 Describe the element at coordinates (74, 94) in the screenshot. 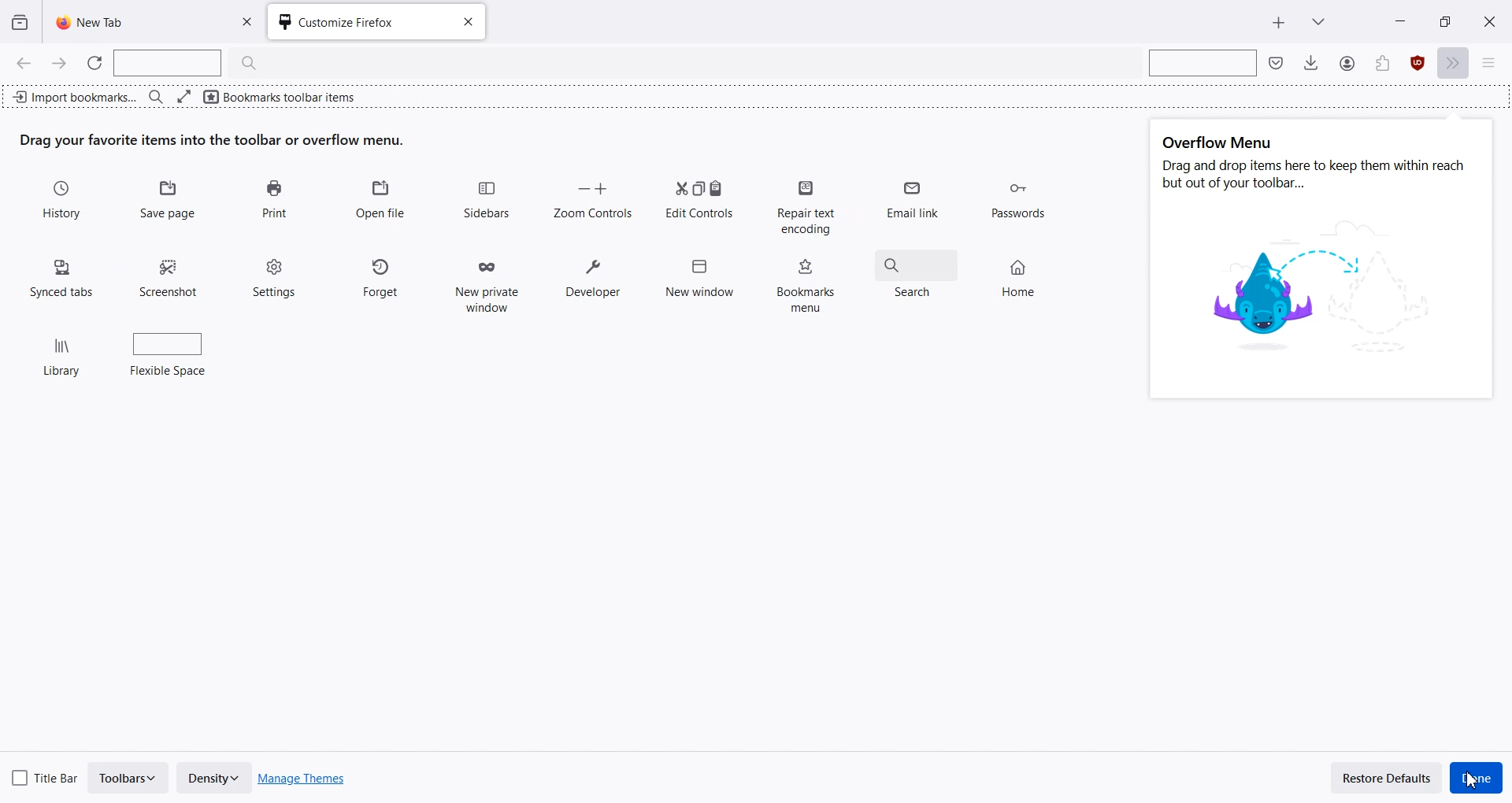

I see `Import bookmark` at that location.